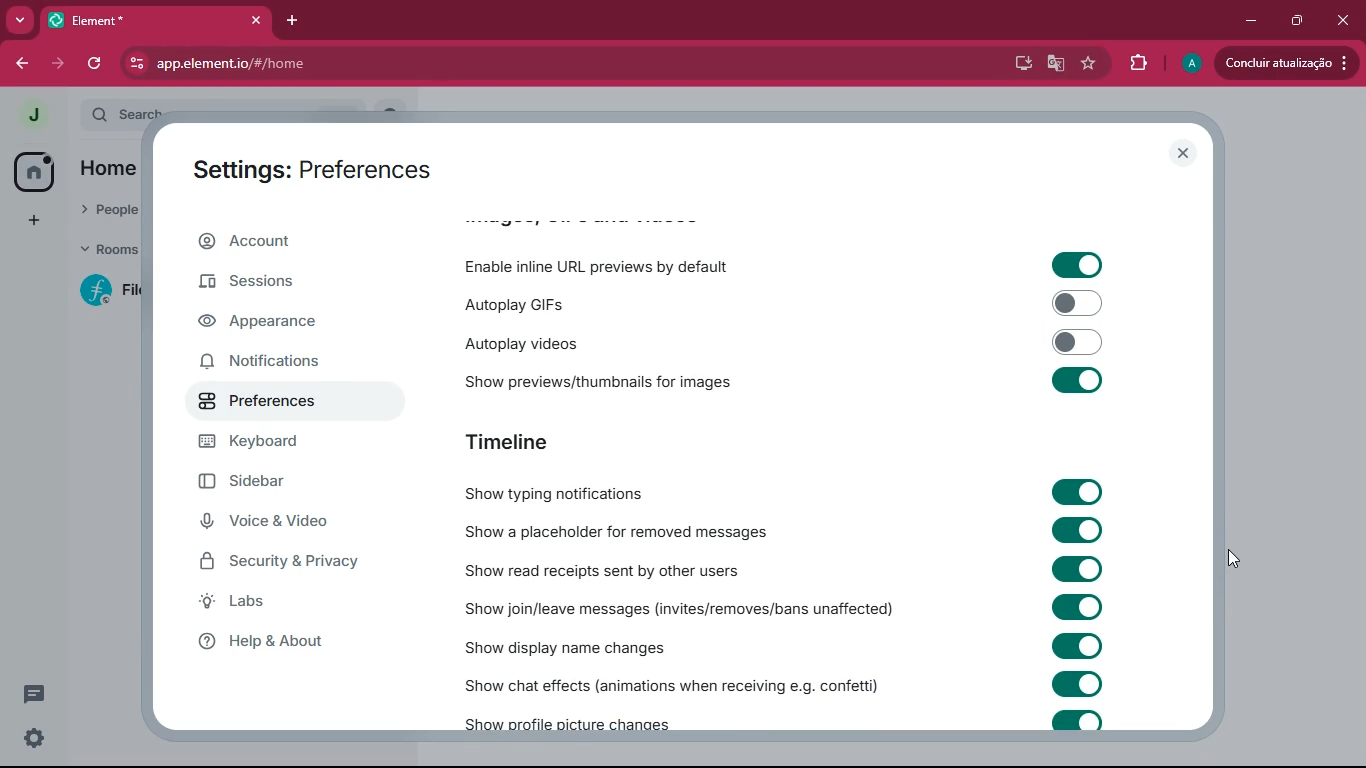 This screenshot has height=768, width=1366. I want to click on toggle on/off, so click(1078, 529).